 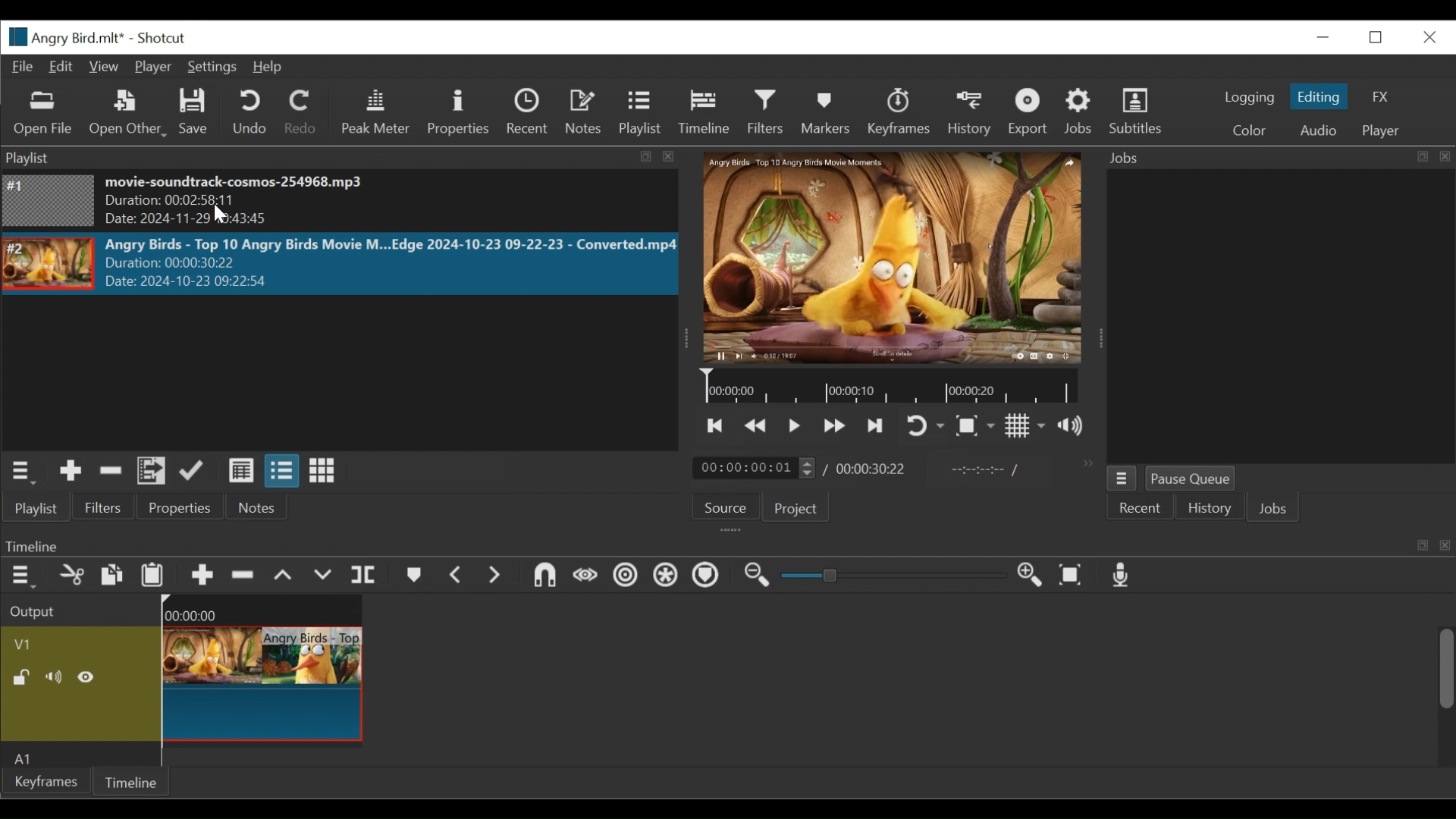 What do you see at coordinates (826, 112) in the screenshot?
I see `Markers` at bounding box center [826, 112].